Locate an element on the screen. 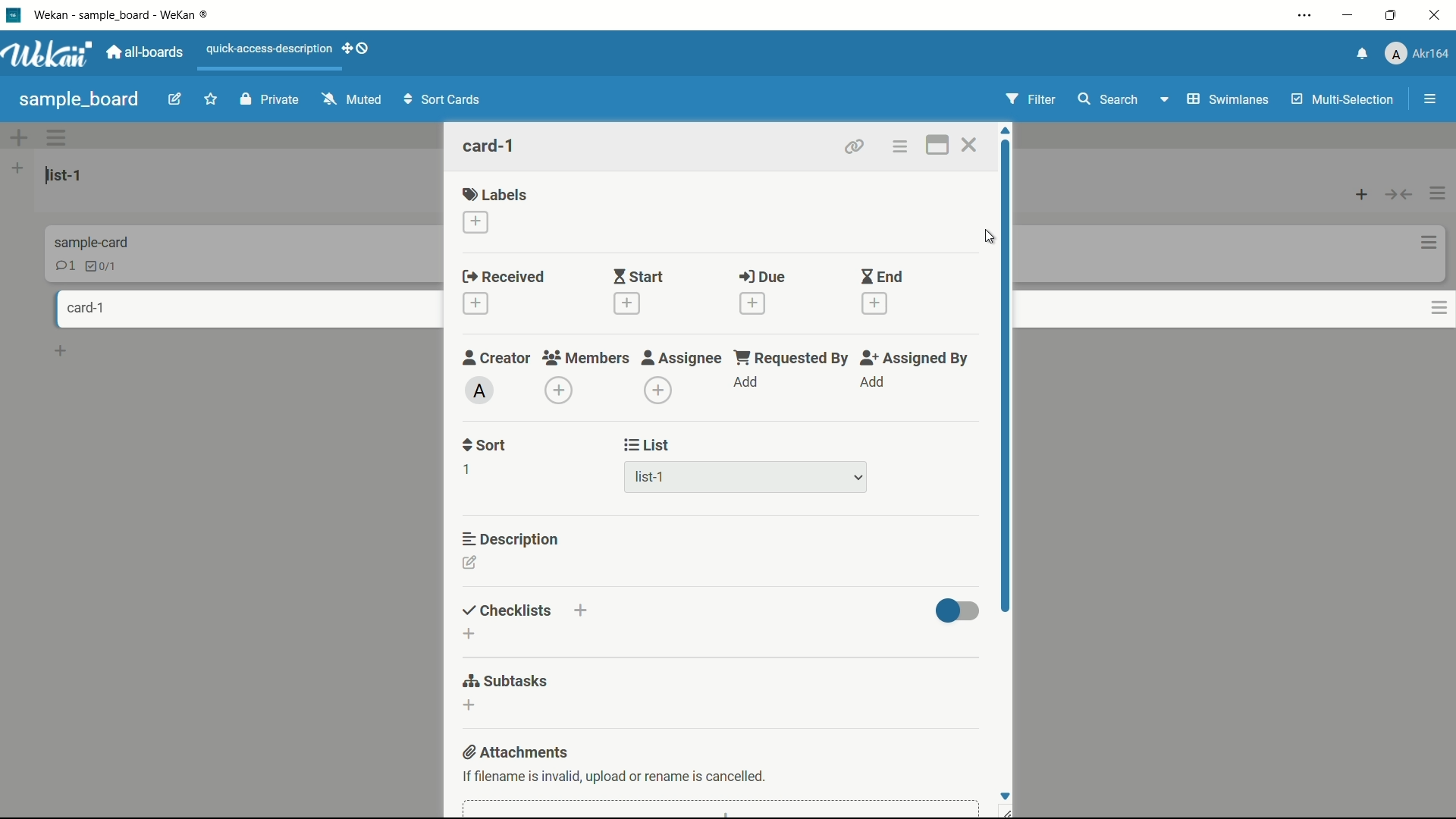 This screenshot has width=1456, height=819. card actions is located at coordinates (1423, 306).